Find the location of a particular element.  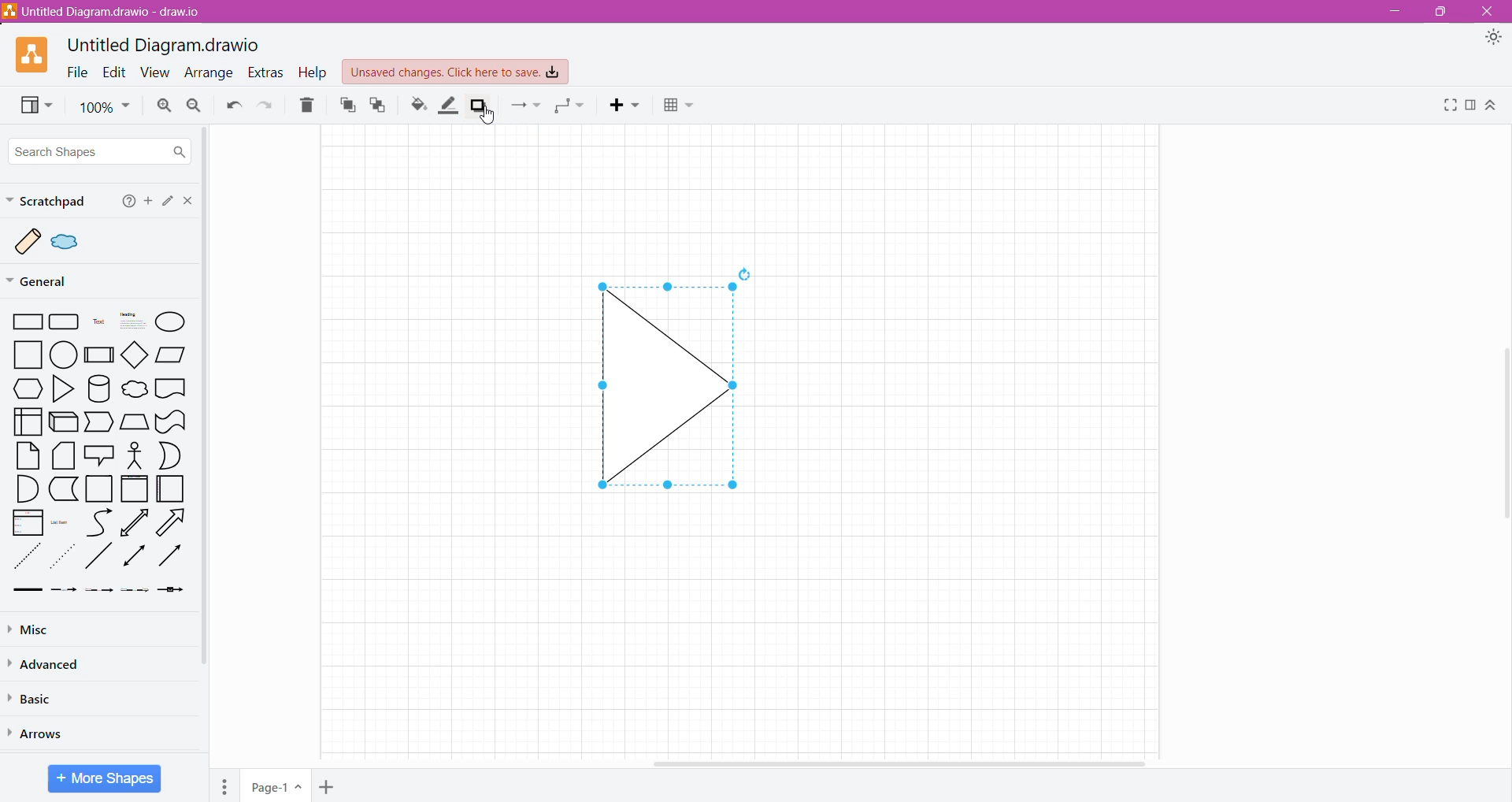

Arrows is located at coordinates (53, 734).